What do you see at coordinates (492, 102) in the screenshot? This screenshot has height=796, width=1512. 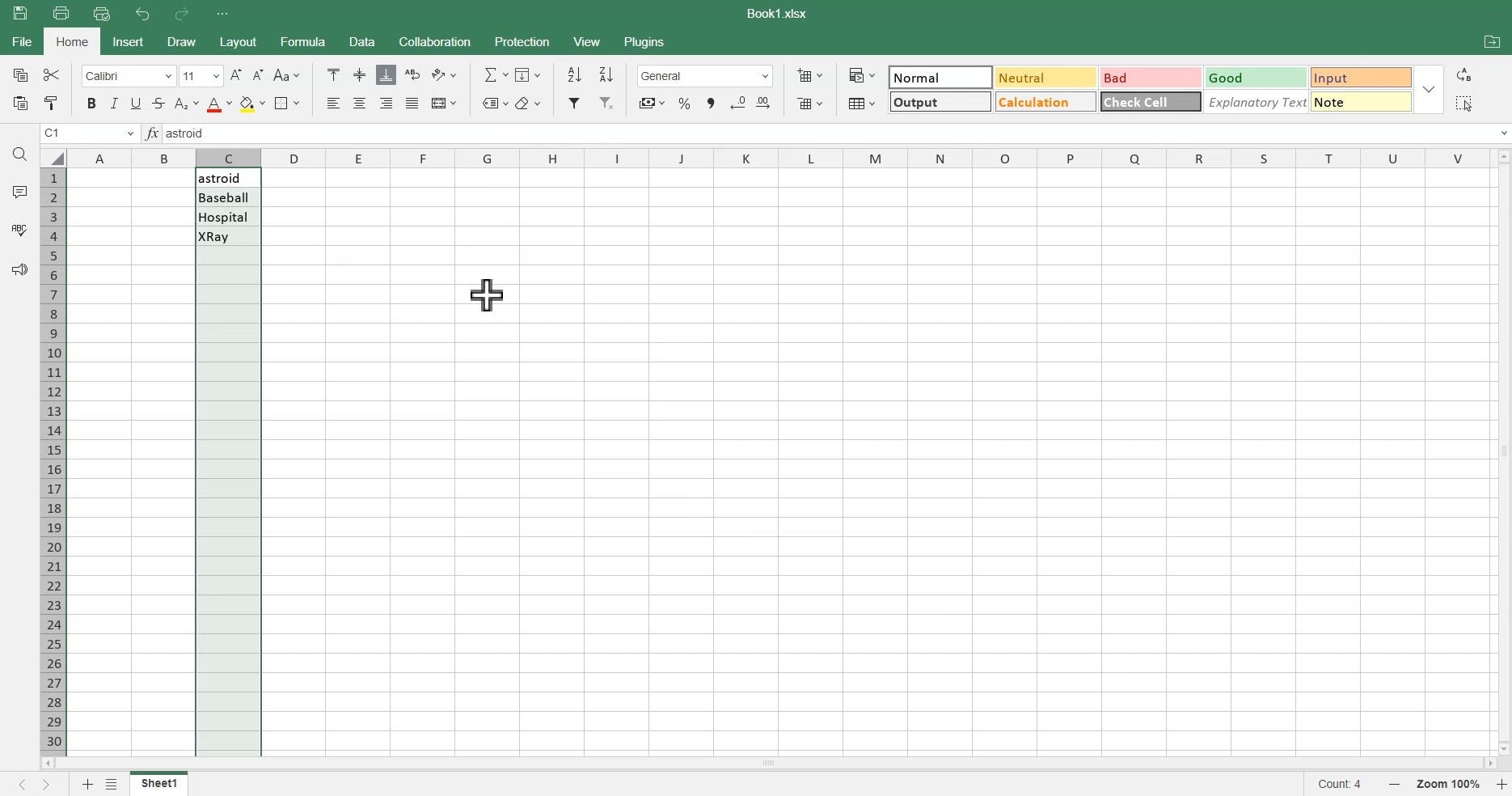 I see `Named Range` at bounding box center [492, 102].